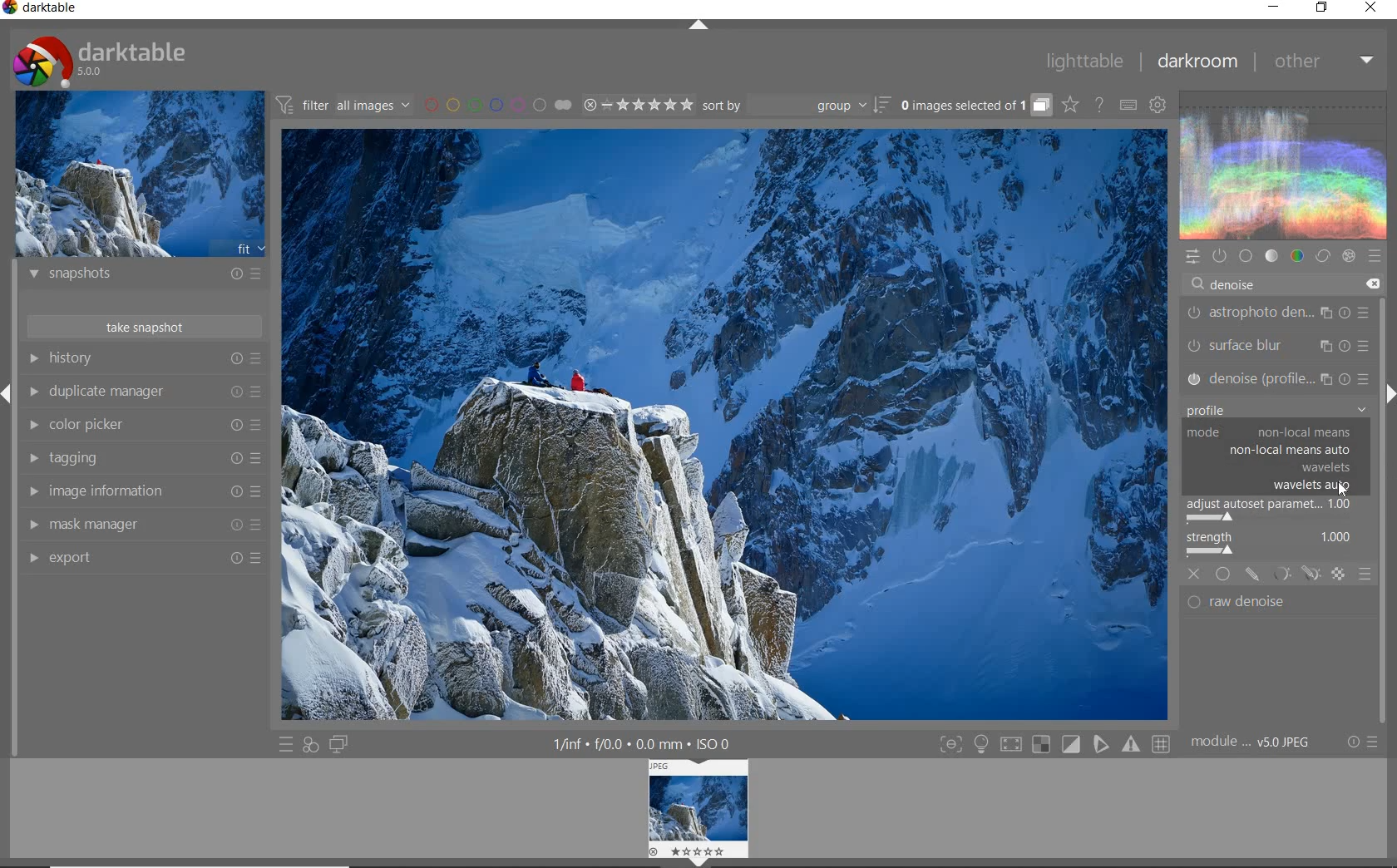 This screenshot has height=868, width=1397. Describe the element at coordinates (1085, 60) in the screenshot. I see `lighttable` at that location.